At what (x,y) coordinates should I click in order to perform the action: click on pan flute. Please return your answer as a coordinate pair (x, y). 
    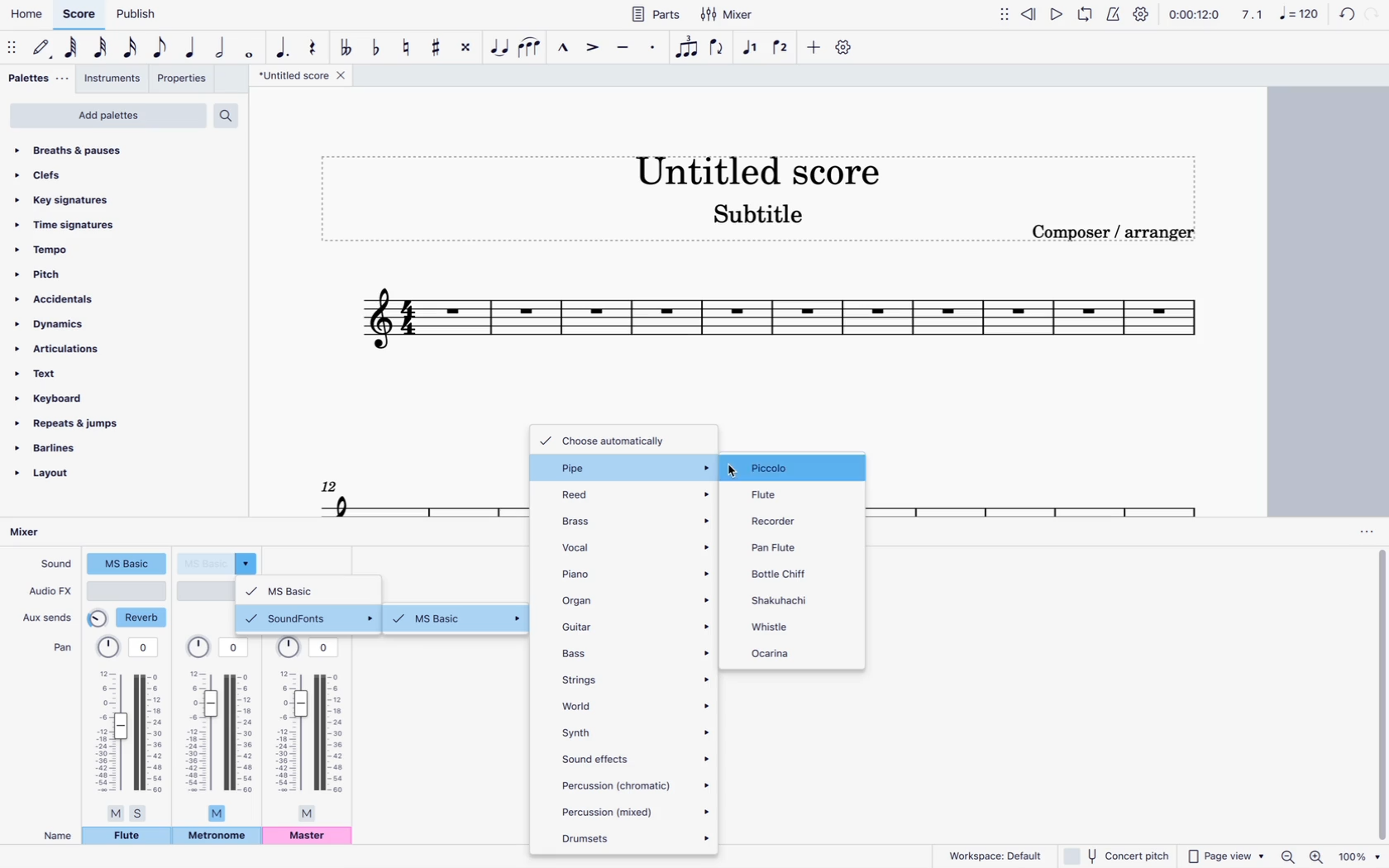
    Looking at the image, I should click on (785, 547).